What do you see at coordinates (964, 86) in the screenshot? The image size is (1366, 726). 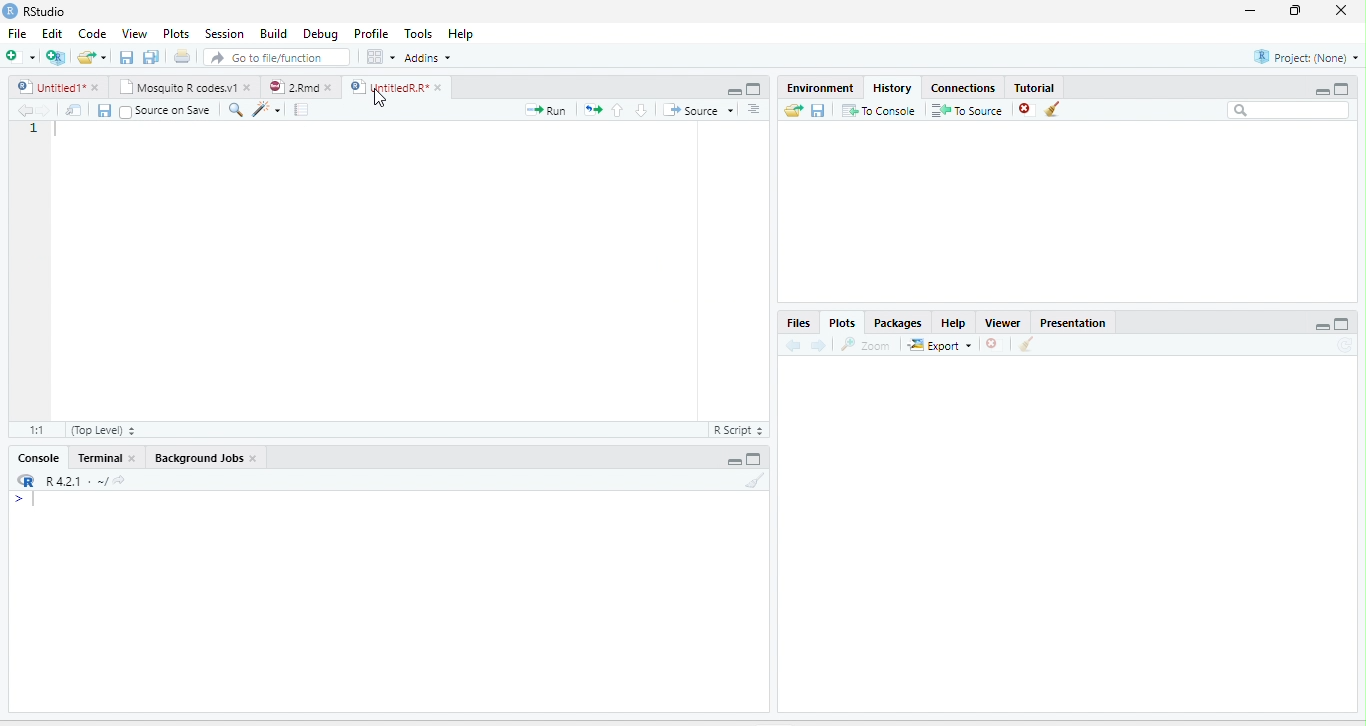 I see `Connections` at bounding box center [964, 86].